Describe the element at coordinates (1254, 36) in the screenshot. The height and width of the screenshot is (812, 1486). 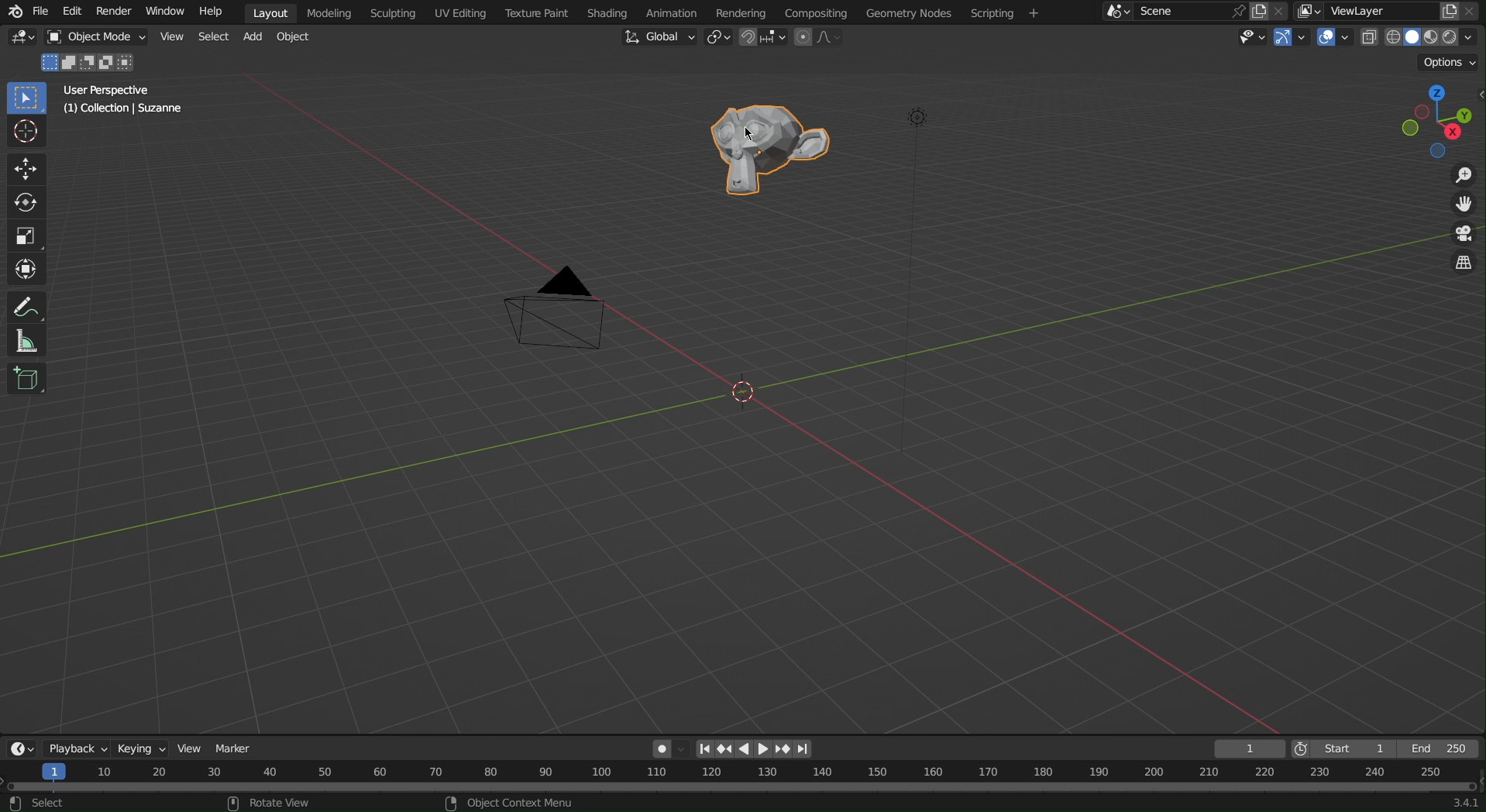
I see `View Objects Types` at that location.